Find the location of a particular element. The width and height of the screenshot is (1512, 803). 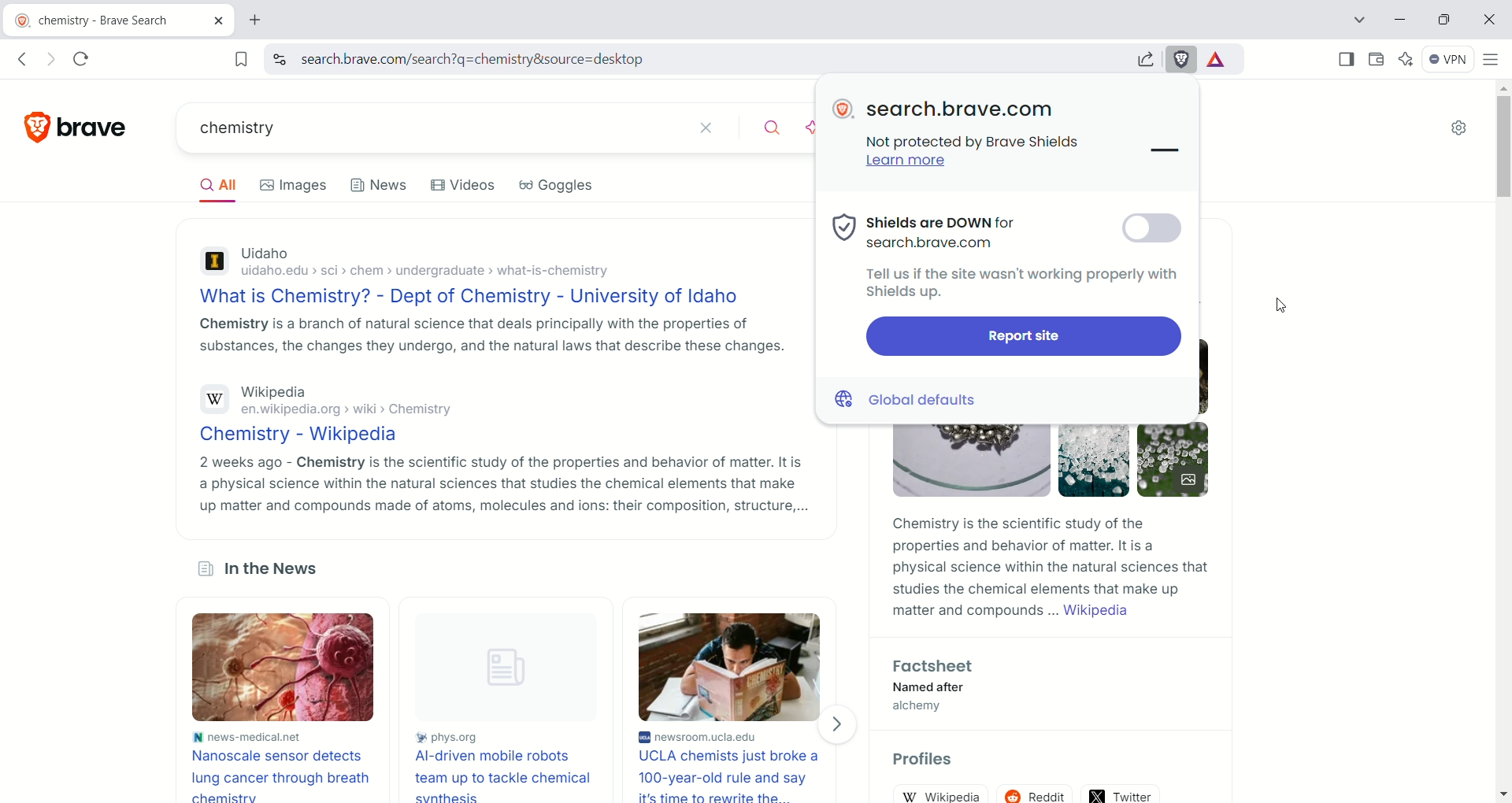

share this page is located at coordinates (1142, 57).